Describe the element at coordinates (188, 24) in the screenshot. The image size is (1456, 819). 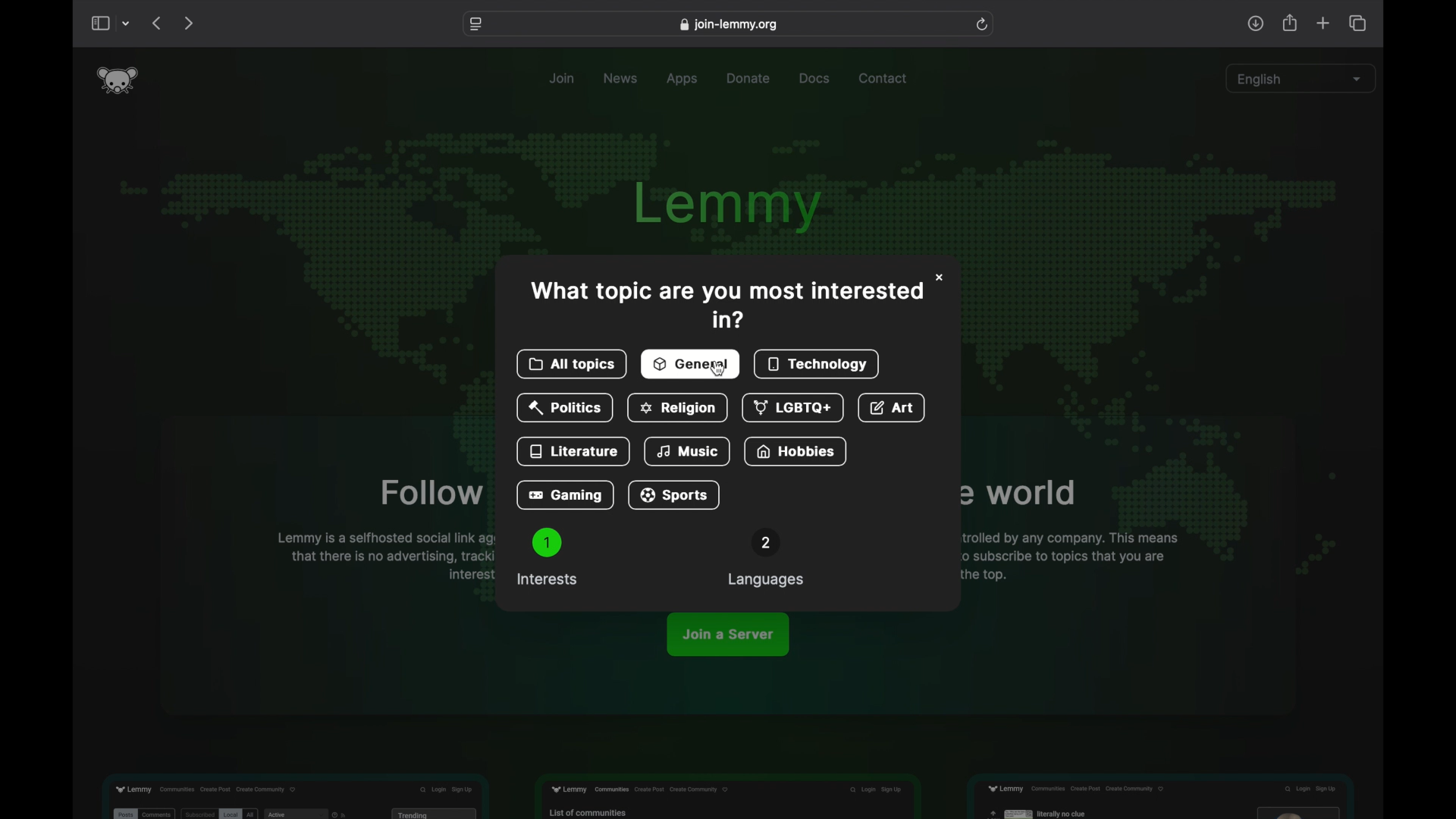
I see `next page` at that location.